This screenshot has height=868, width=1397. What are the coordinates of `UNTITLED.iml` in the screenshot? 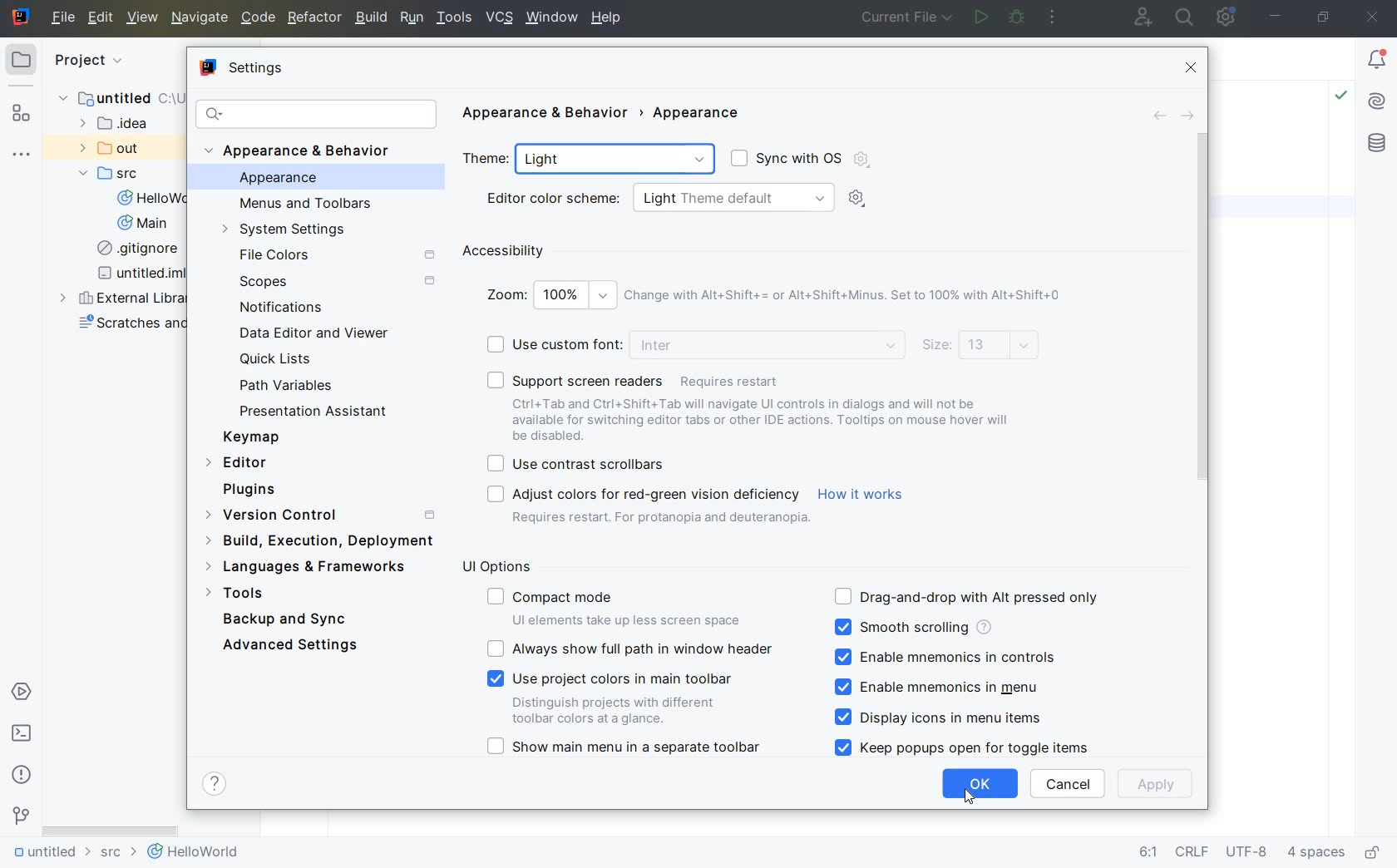 It's located at (136, 274).